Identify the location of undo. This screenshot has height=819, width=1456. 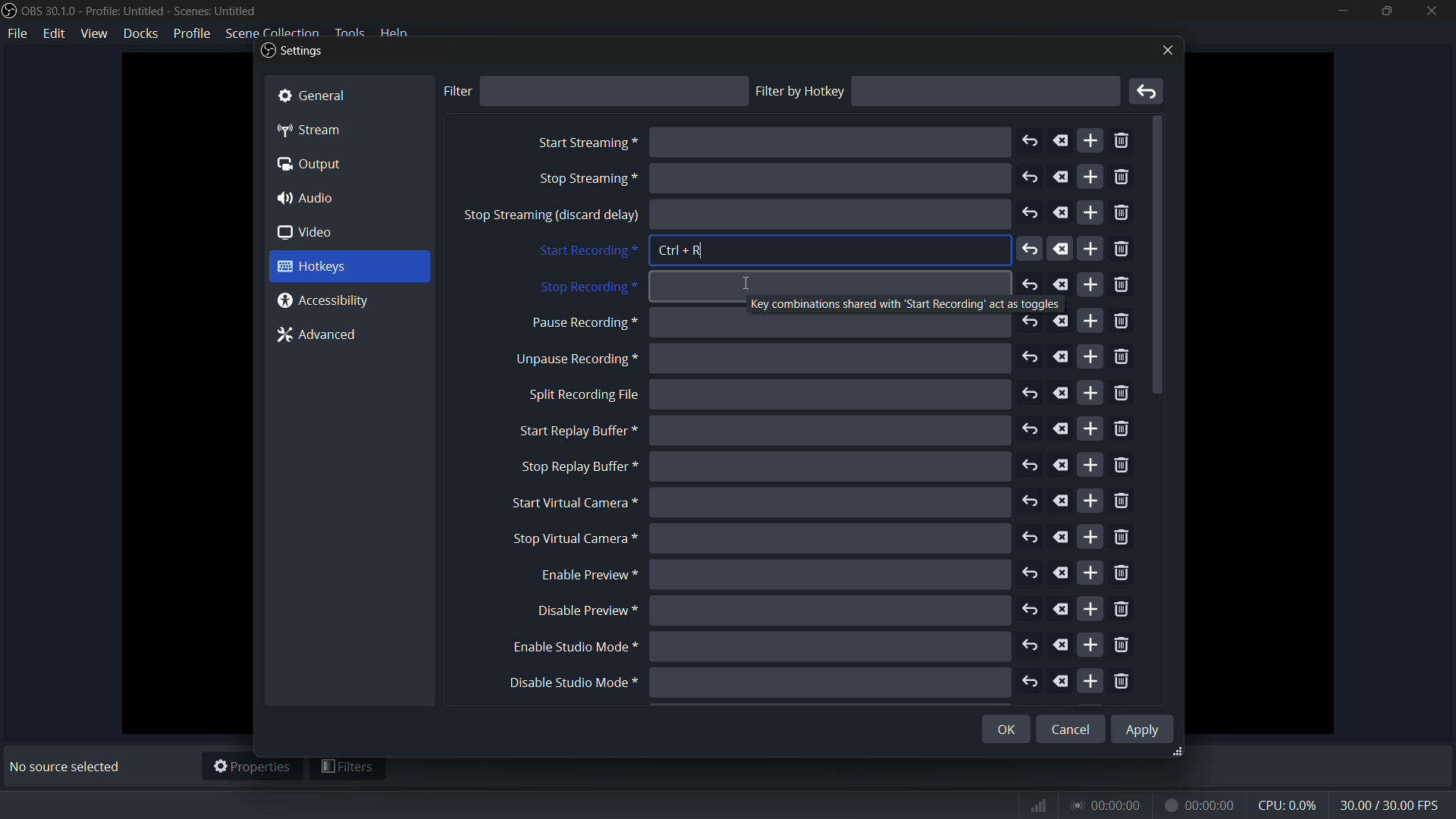
(1030, 607).